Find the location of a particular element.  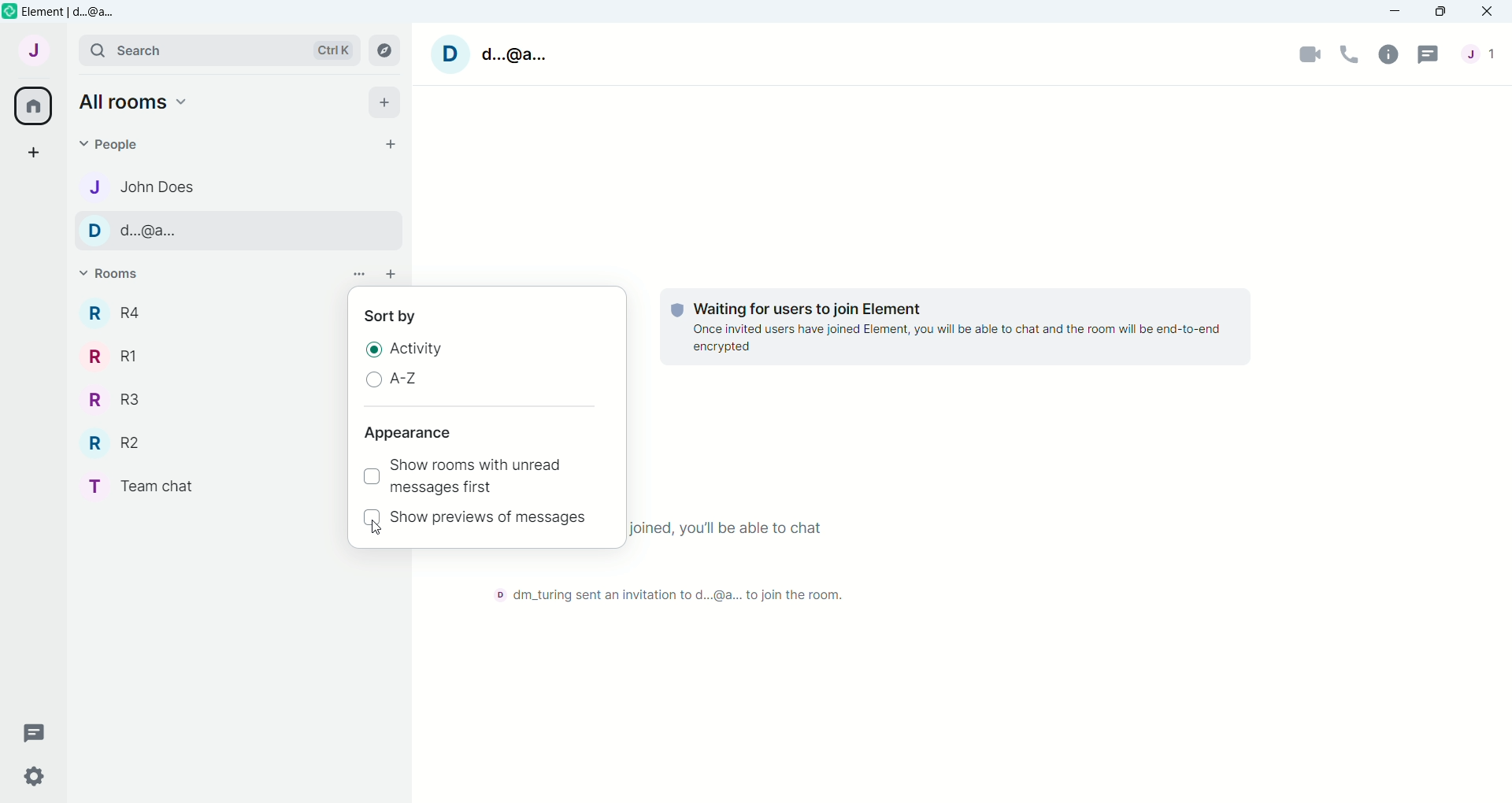

Room Info is located at coordinates (1391, 53).